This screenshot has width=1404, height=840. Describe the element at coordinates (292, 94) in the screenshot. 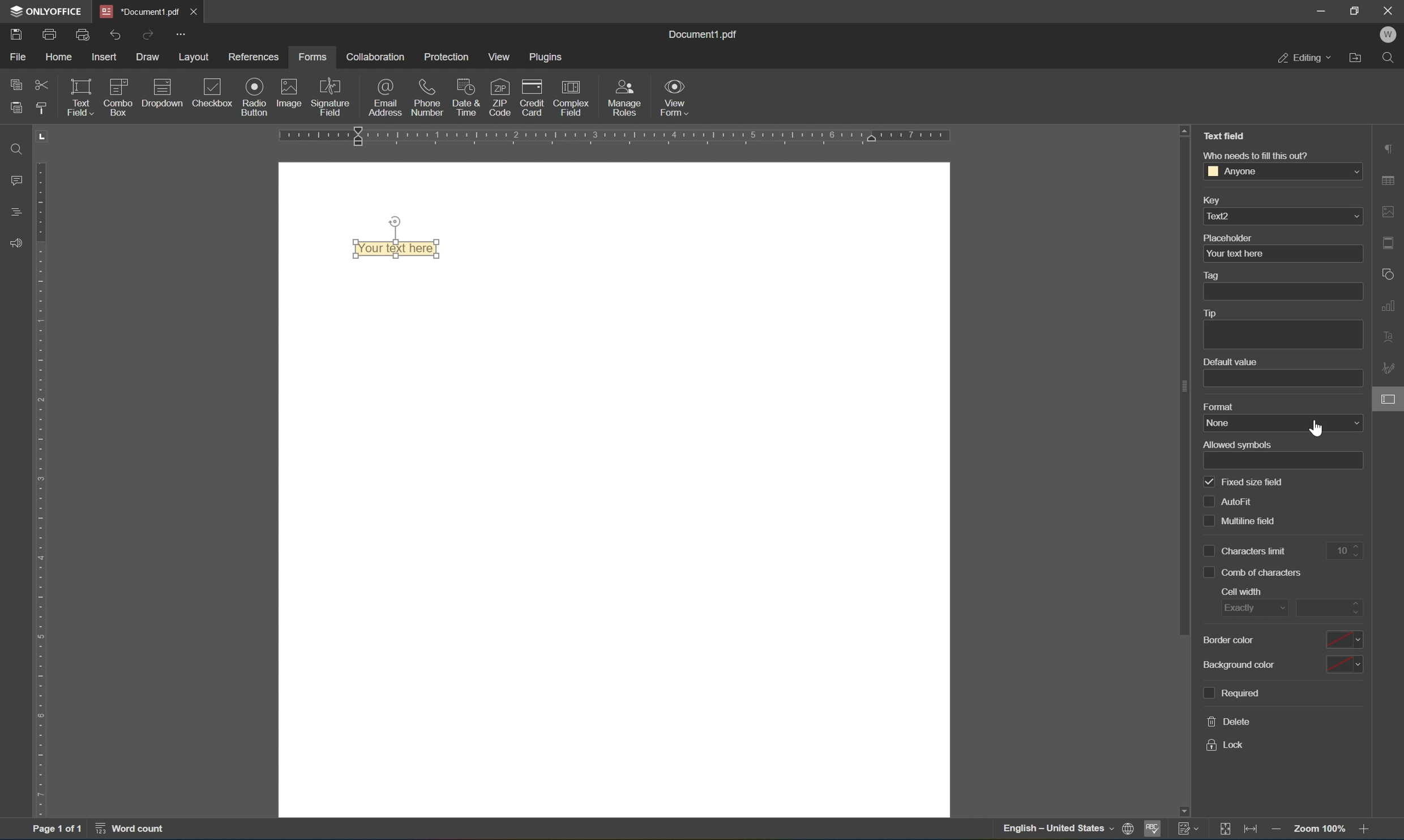

I see `image` at that location.